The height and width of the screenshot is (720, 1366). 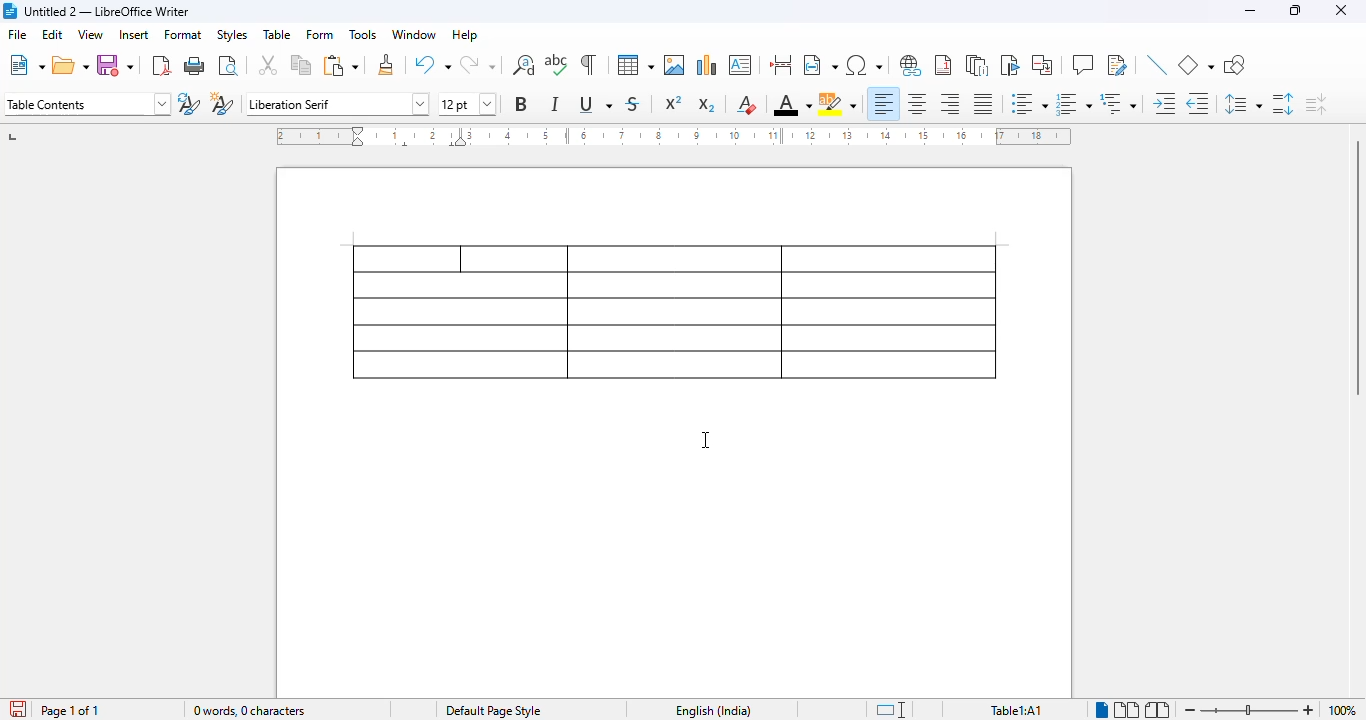 I want to click on insert hyperlink, so click(x=910, y=64).